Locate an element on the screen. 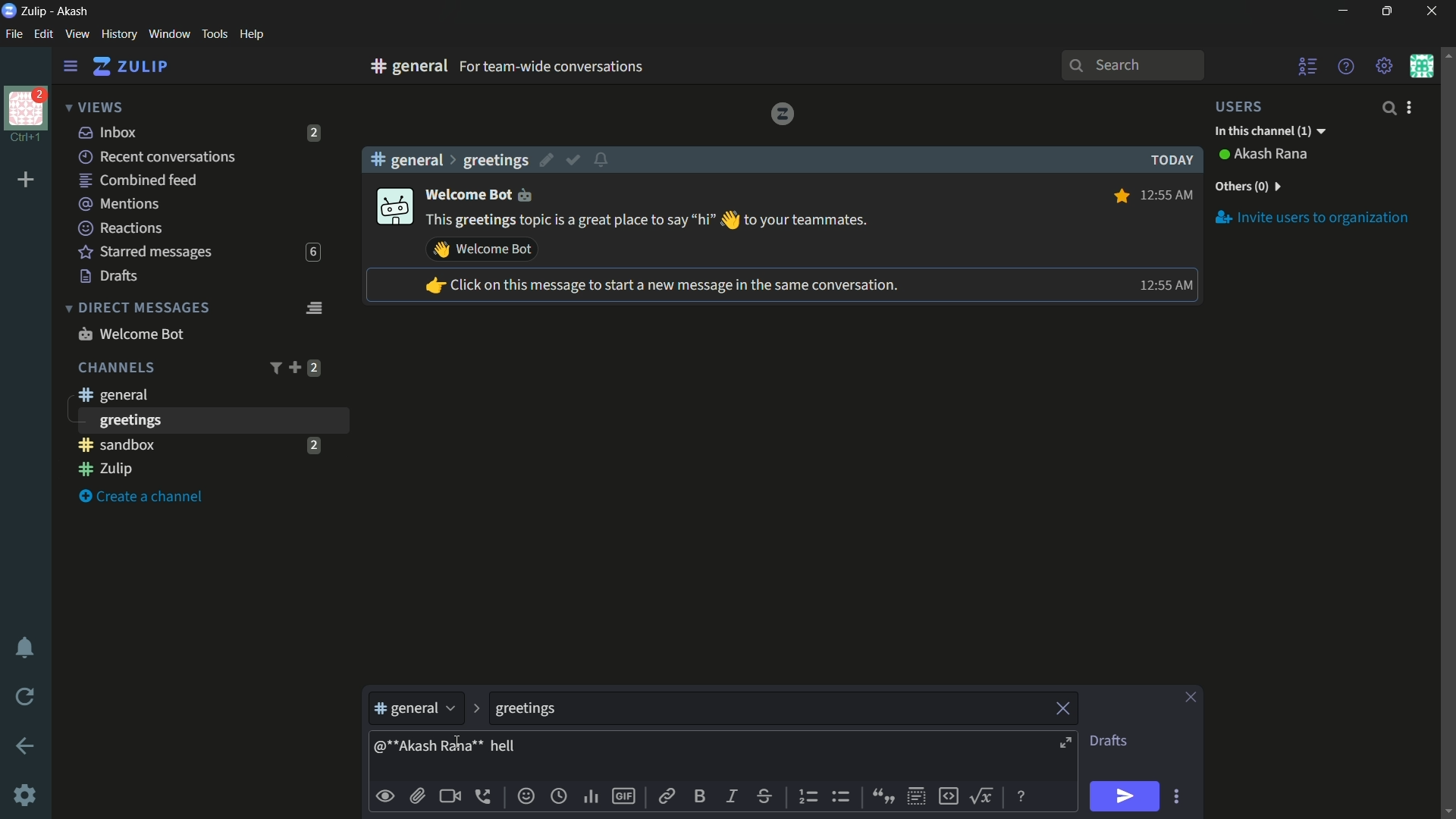 The height and width of the screenshot is (819, 1456). This greeting topic is a great place to say hi to your teammates is located at coordinates (648, 221).